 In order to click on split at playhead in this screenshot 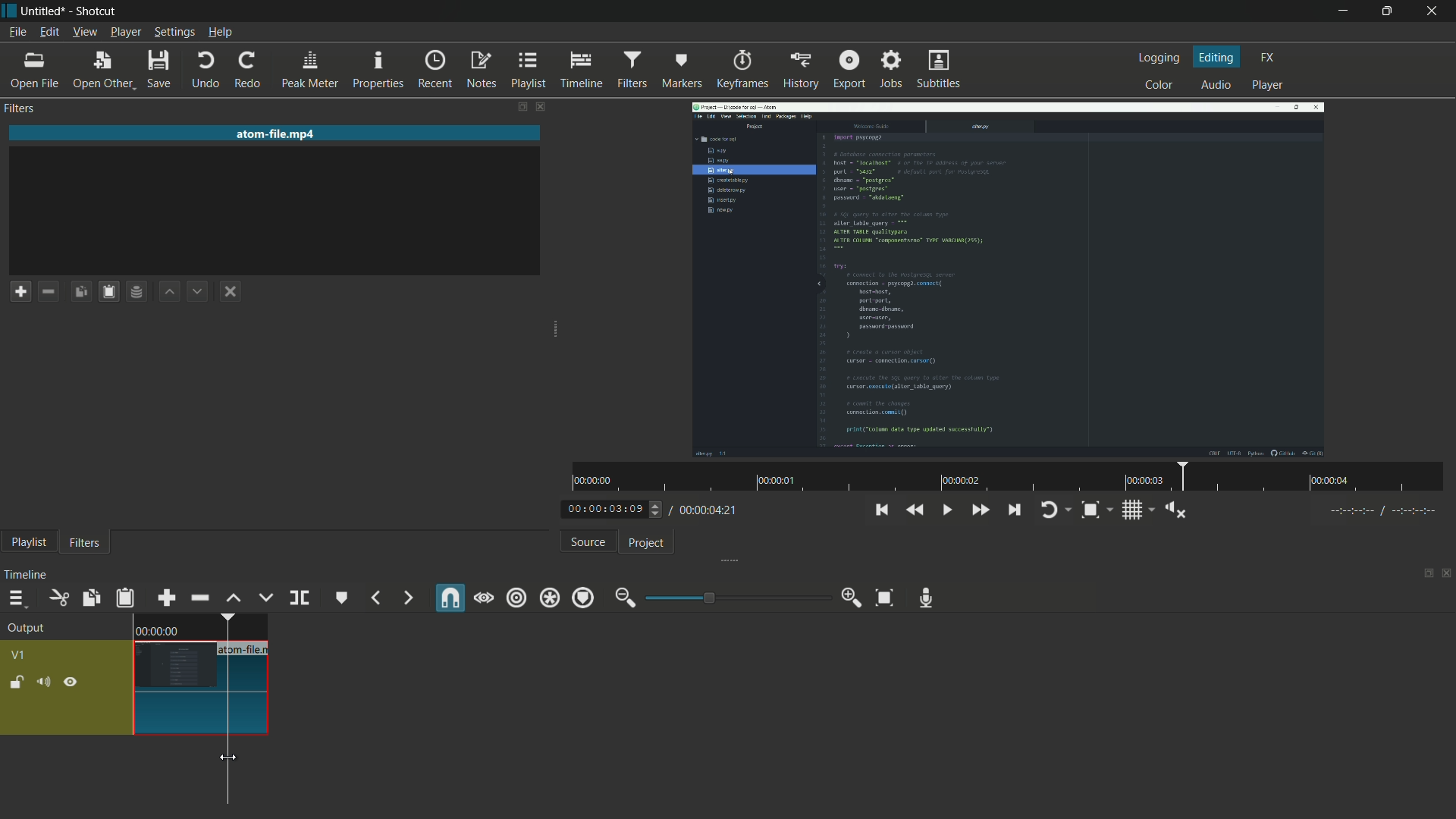, I will do `click(299, 598)`.